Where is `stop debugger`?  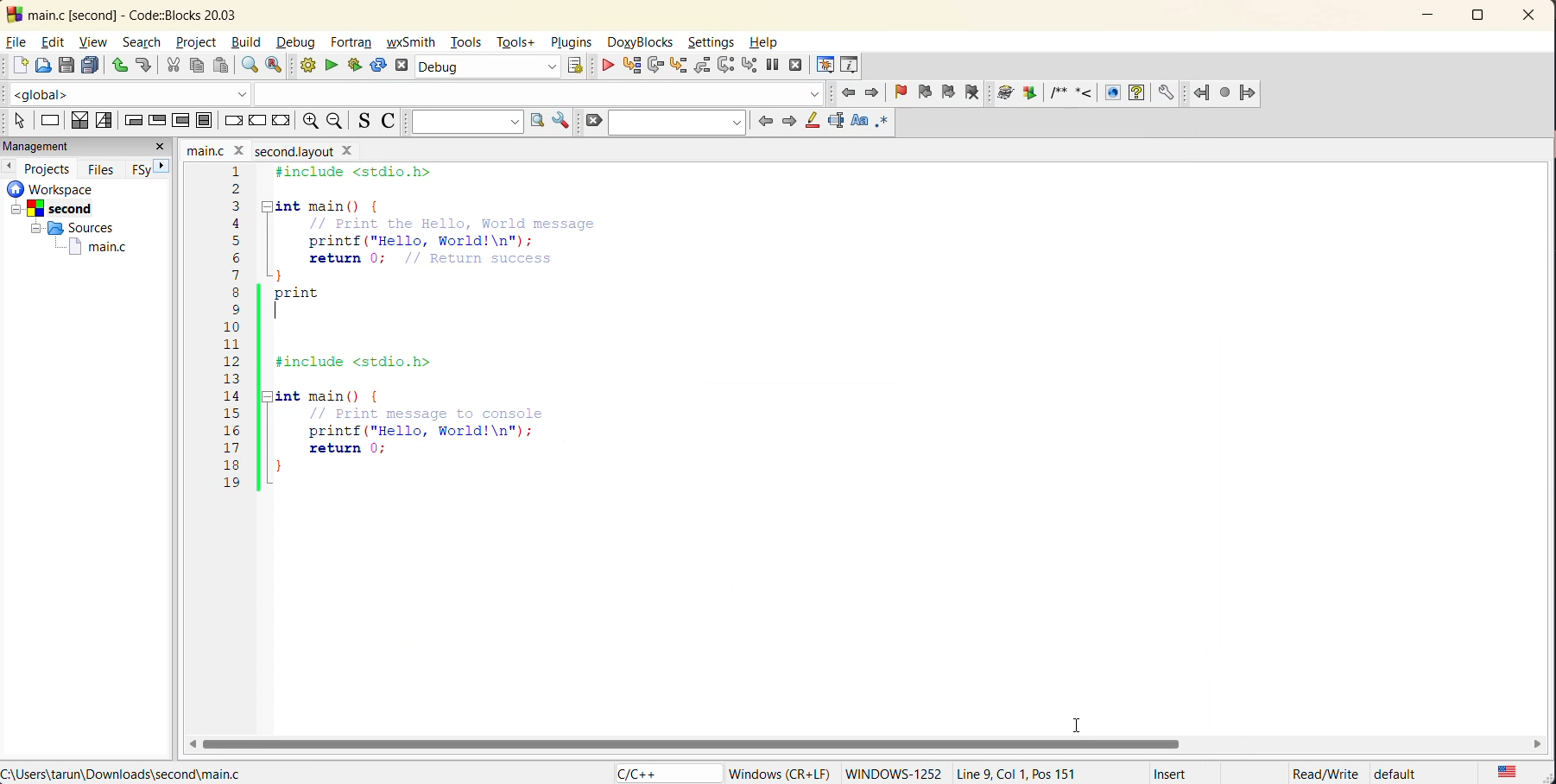
stop debugger is located at coordinates (795, 64).